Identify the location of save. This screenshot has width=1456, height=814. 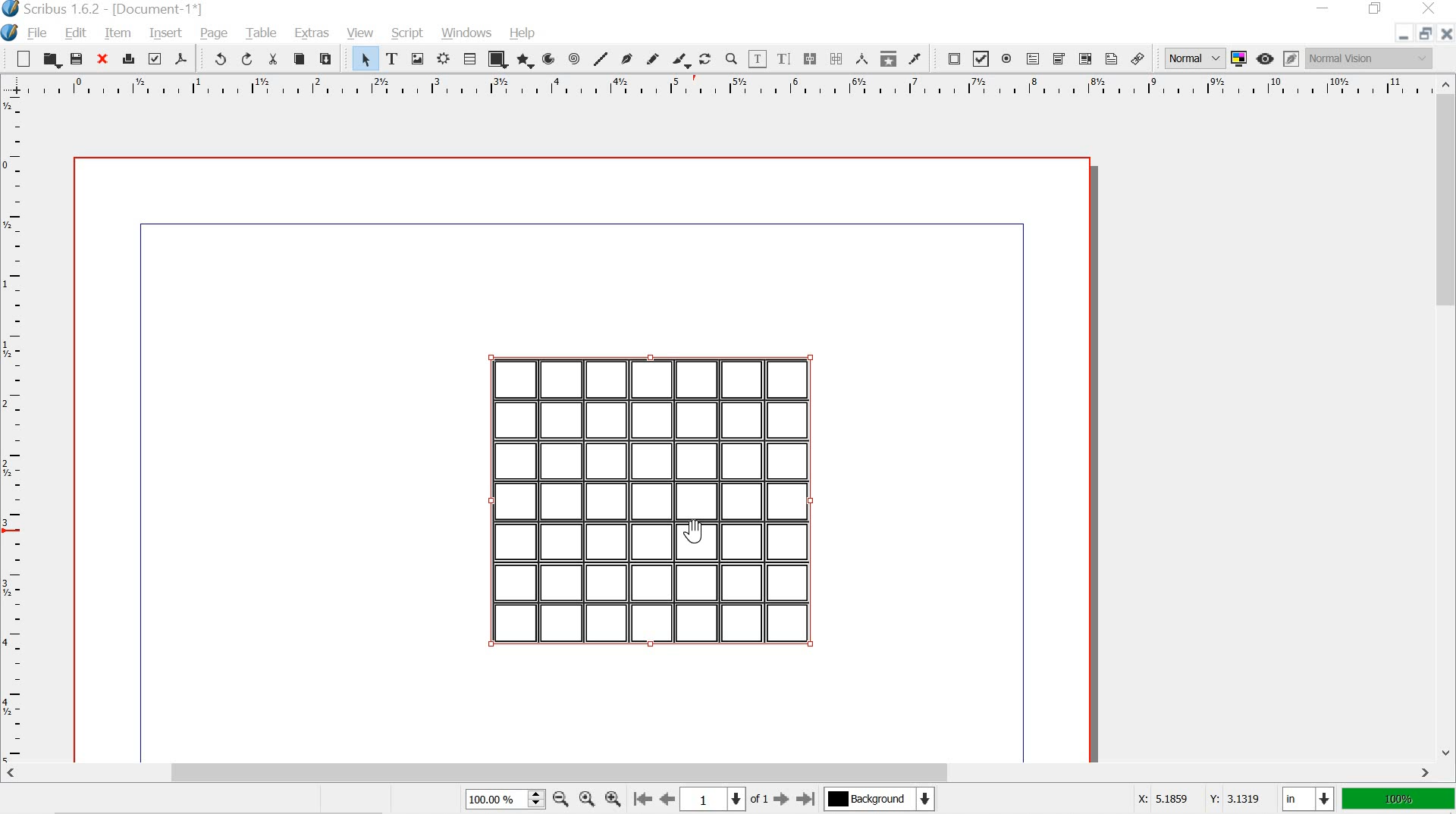
(77, 58).